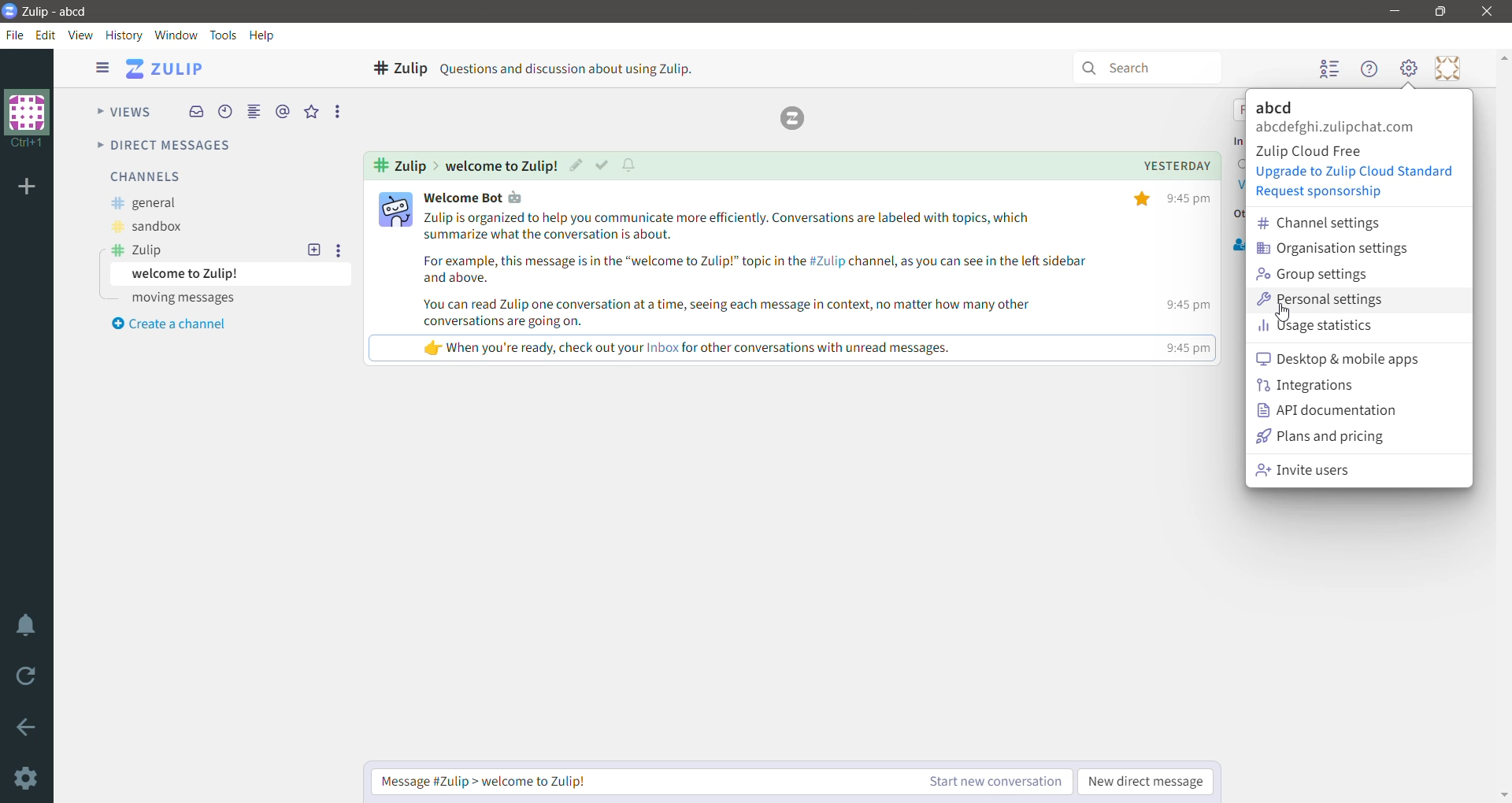  Describe the element at coordinates (28, 730) in the screenshot. I see `Go back` at that location.